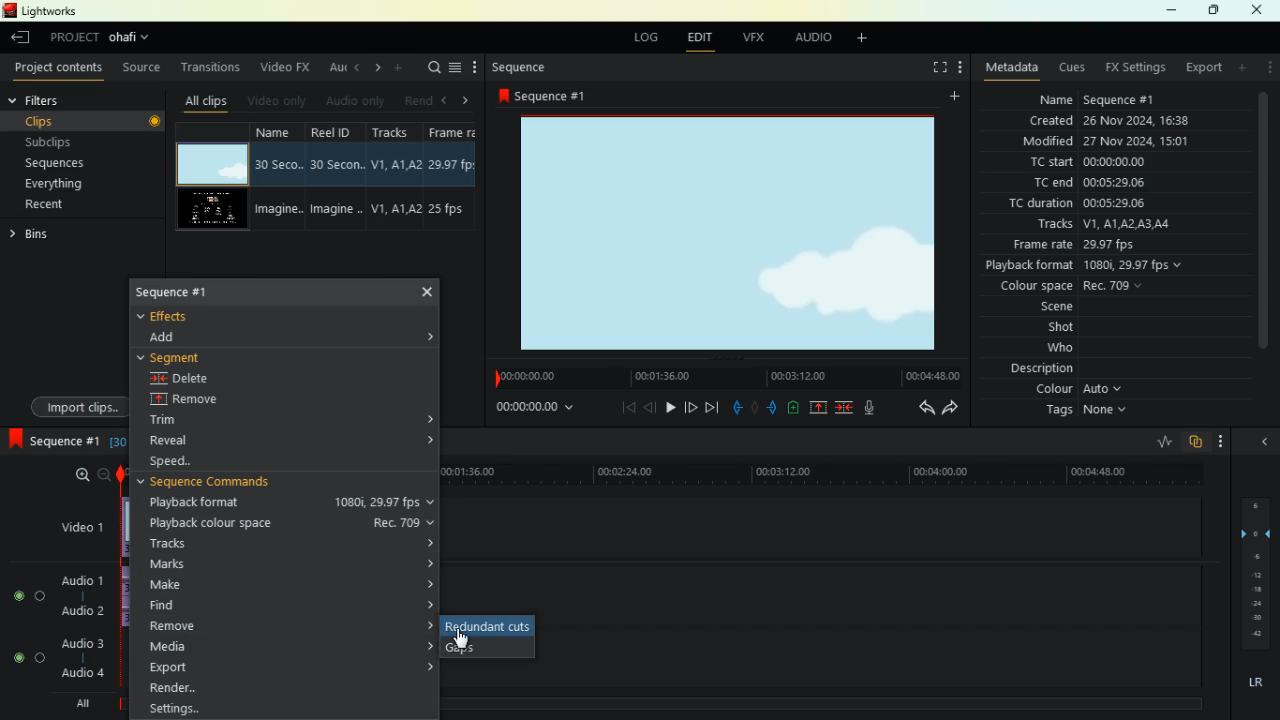  What do you see at coordinates (486, 624) in the screenshot?
I see `redundant cuts` at bounding box center [486, 624].